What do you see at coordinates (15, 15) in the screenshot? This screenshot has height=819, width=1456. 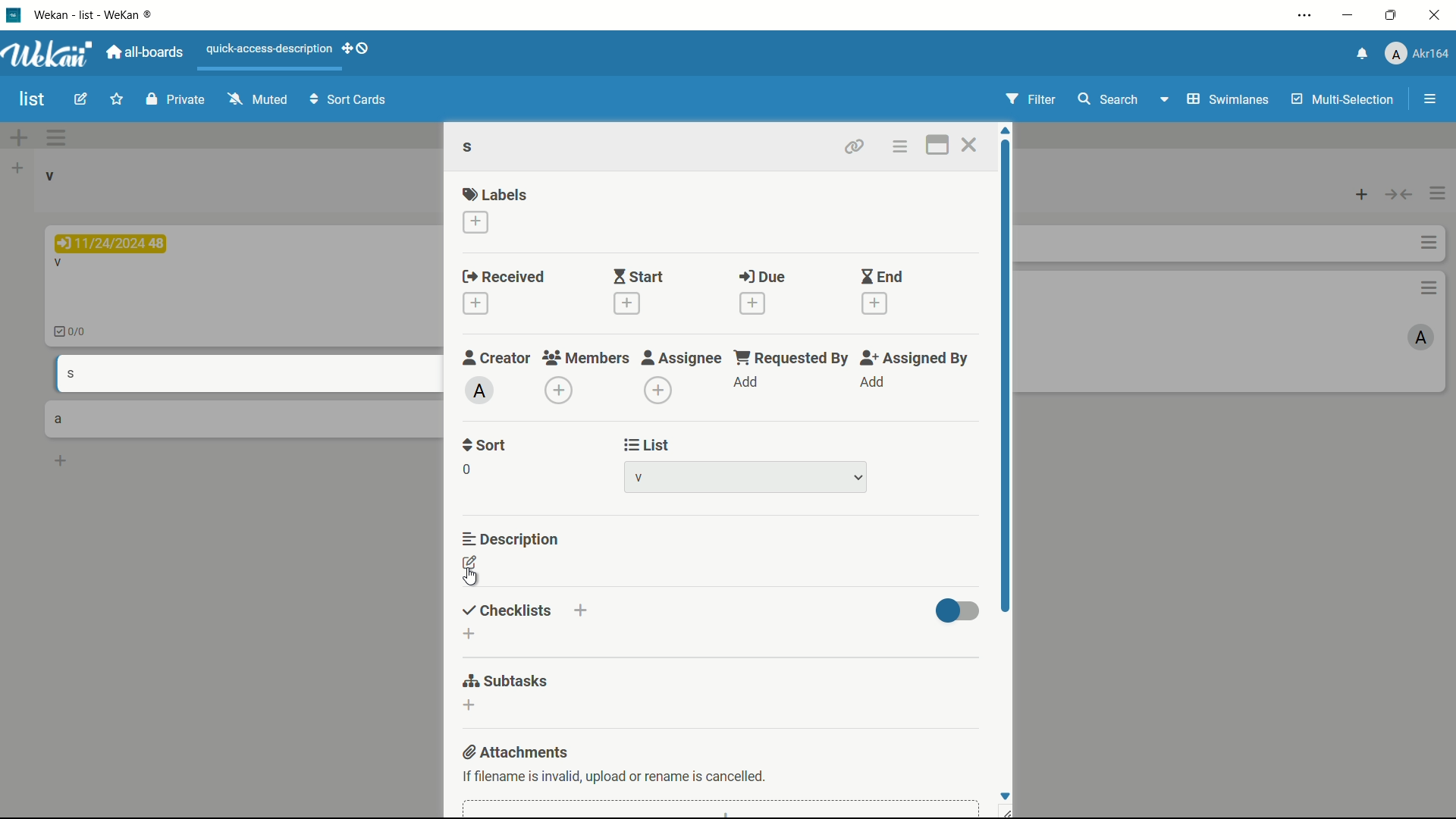 I see `app icon` at bounding box center [15, 15].